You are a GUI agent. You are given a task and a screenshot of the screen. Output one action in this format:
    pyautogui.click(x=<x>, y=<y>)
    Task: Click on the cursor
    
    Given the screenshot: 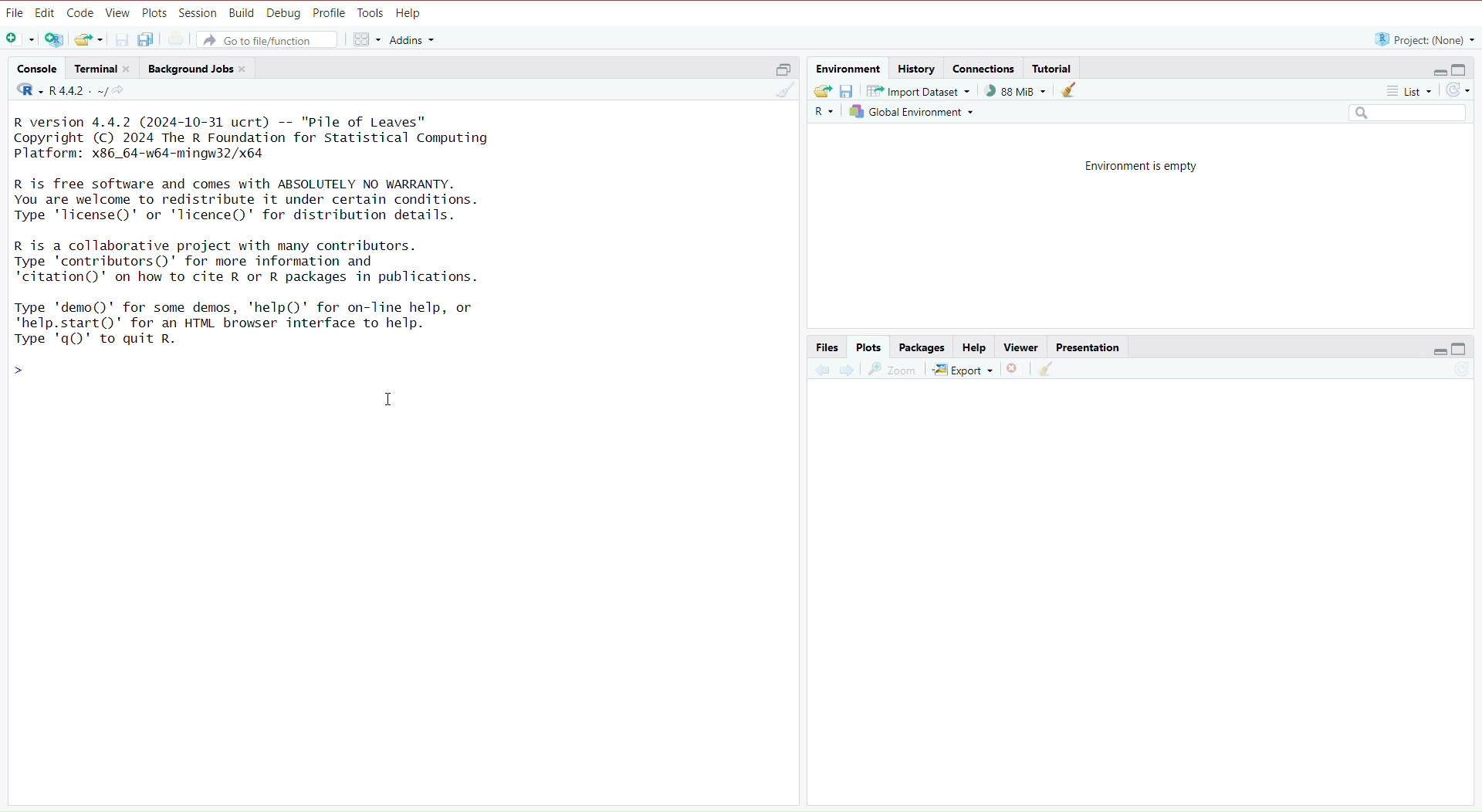 What is the action you would take?
    pyautogui.click(x=391, y=401)
    